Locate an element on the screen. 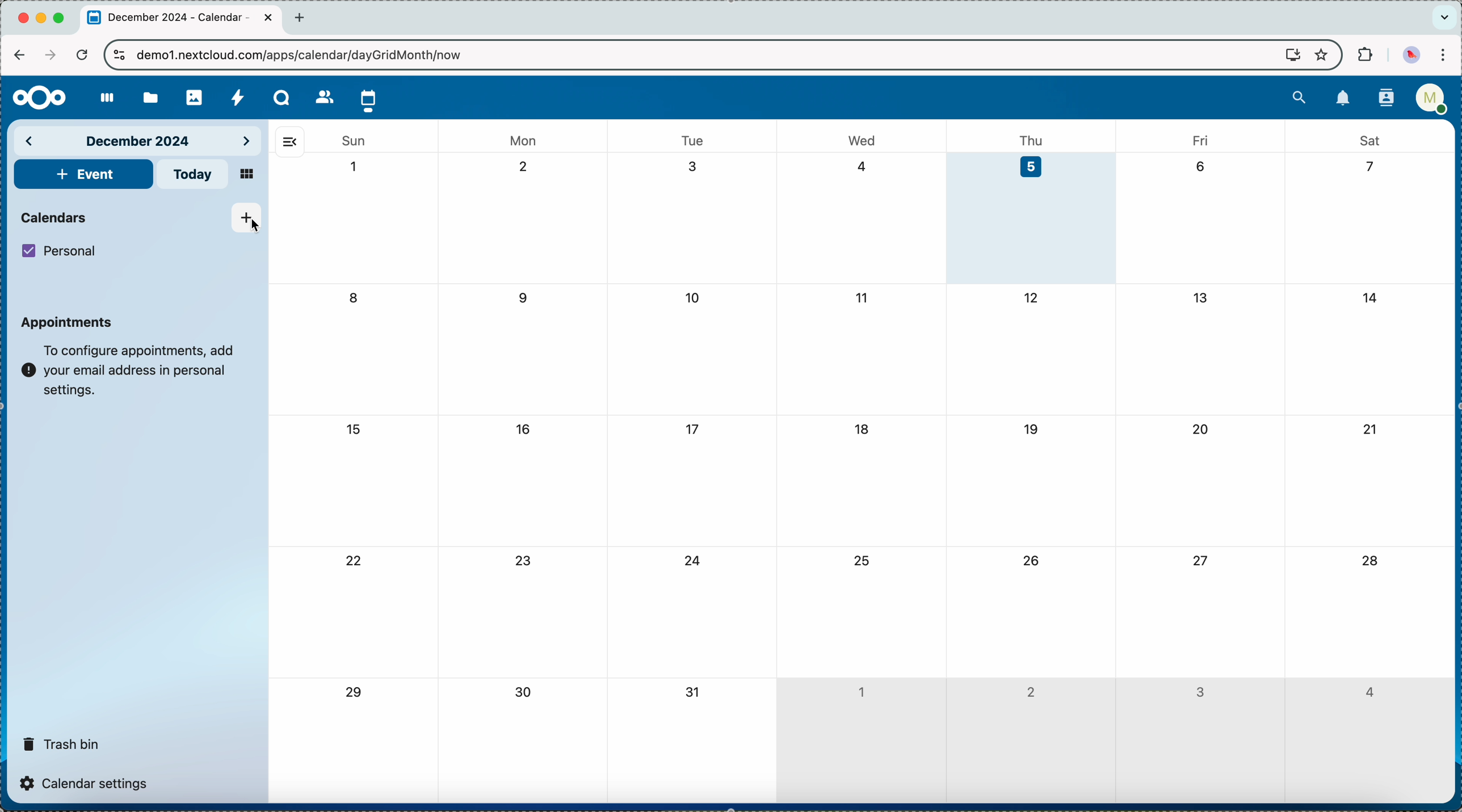 The image size is (1462, 812). 19 is located at coordinates (1032, 428).